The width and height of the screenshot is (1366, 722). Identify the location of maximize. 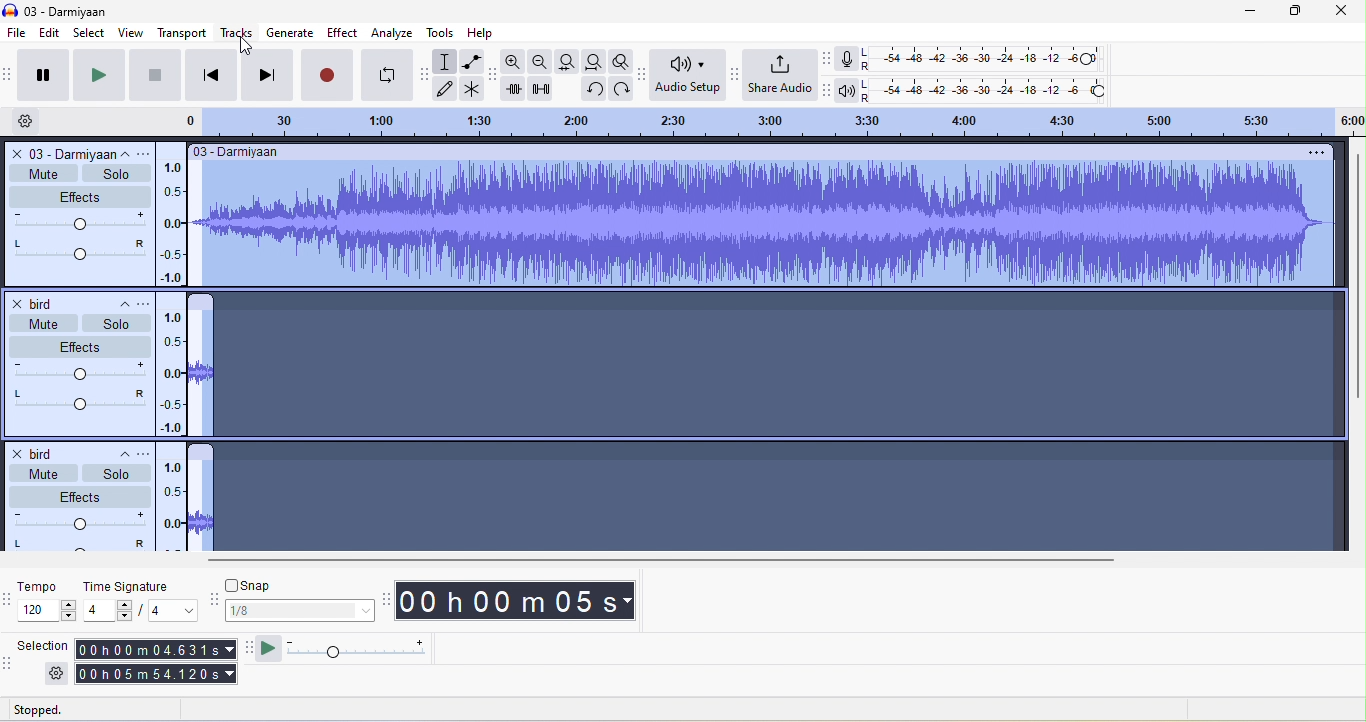
(1285, 11).